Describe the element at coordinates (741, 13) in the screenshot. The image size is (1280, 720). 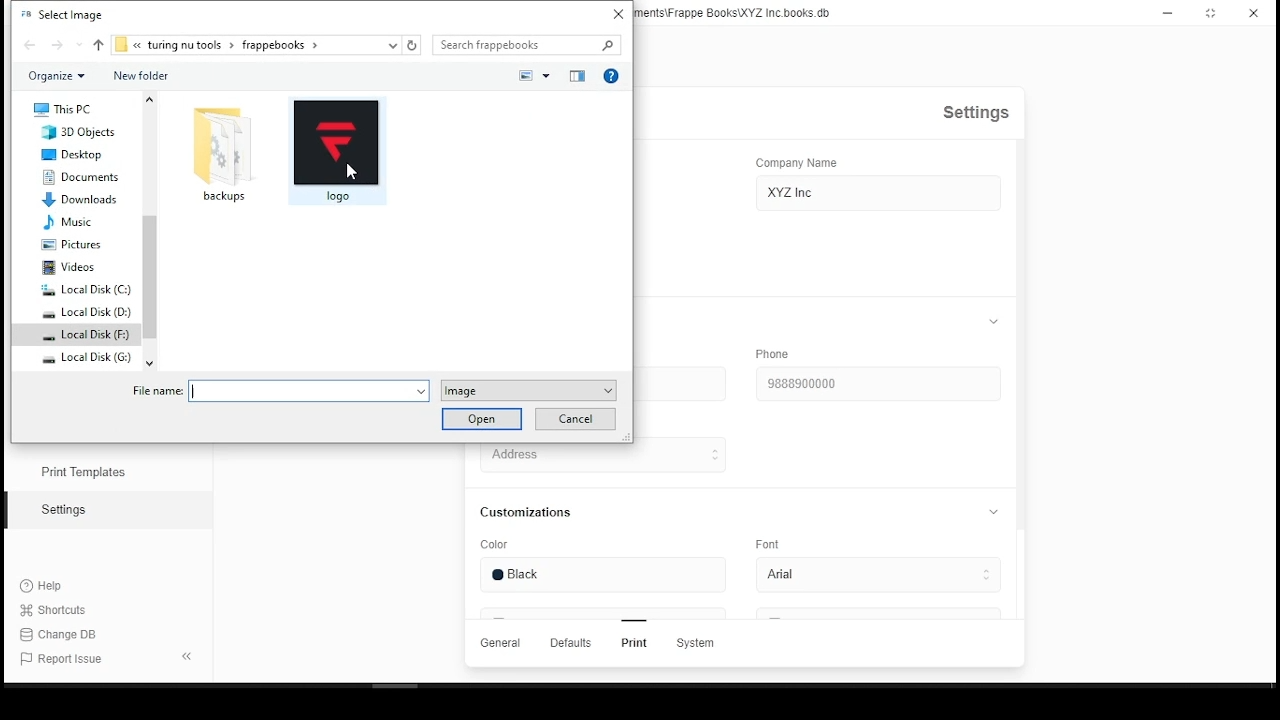
I see `XYZ Inc - C:\users\Sayan\Documents\FrappeBooks\XYZ Incbooks.db` at that location.